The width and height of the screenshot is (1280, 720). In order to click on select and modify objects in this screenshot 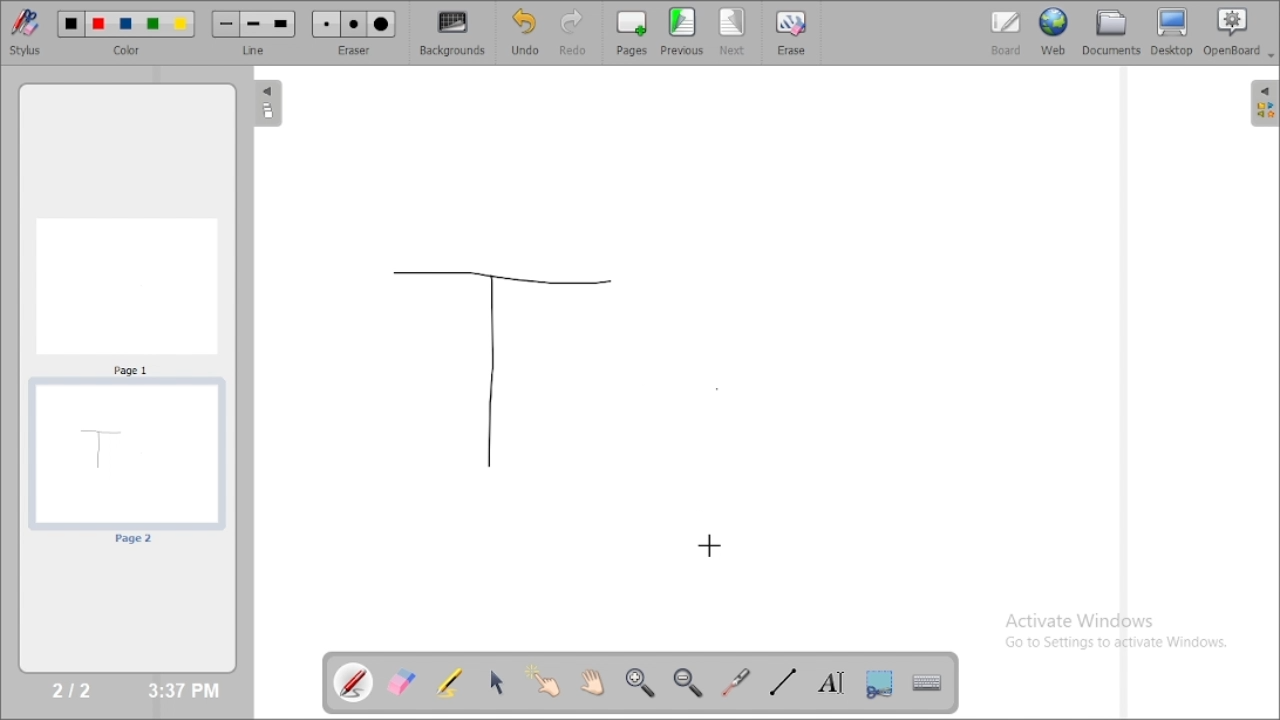, I will do `click(497, 682)`.